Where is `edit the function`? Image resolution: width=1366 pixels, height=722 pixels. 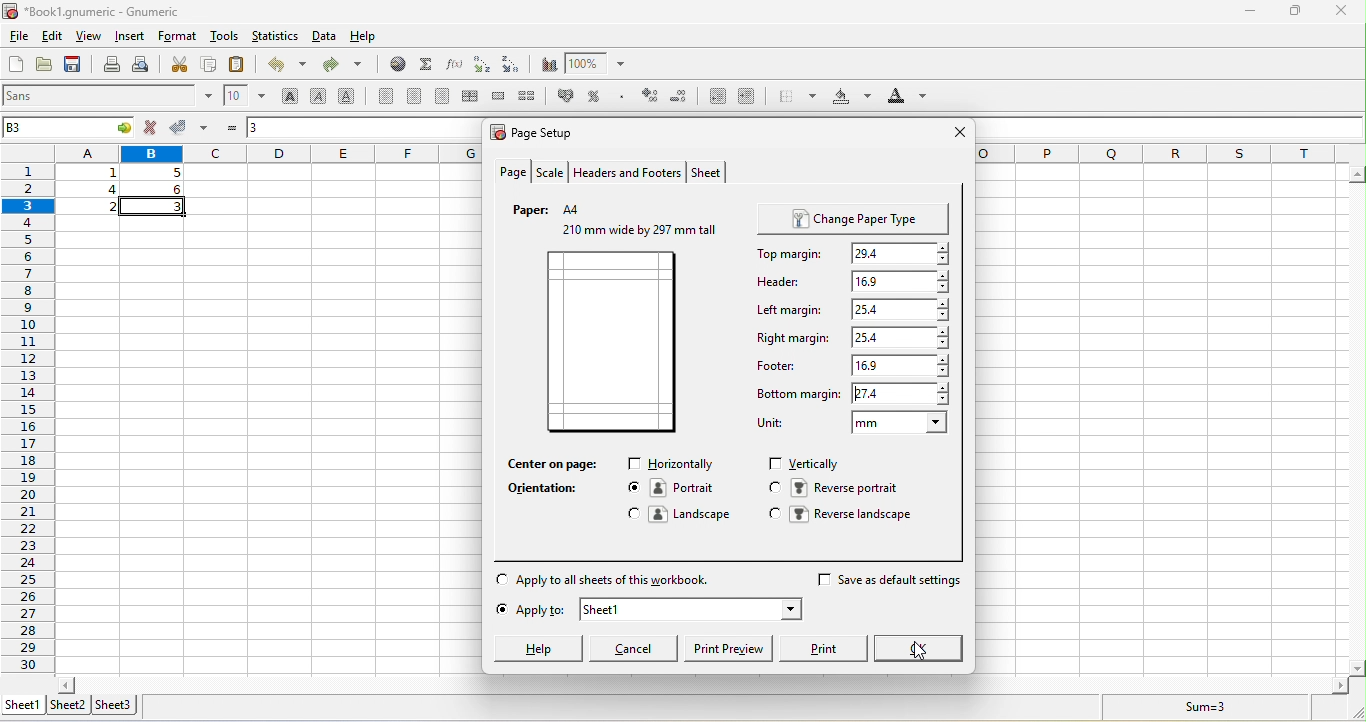
edit the function is located at coordinates (455, 64).